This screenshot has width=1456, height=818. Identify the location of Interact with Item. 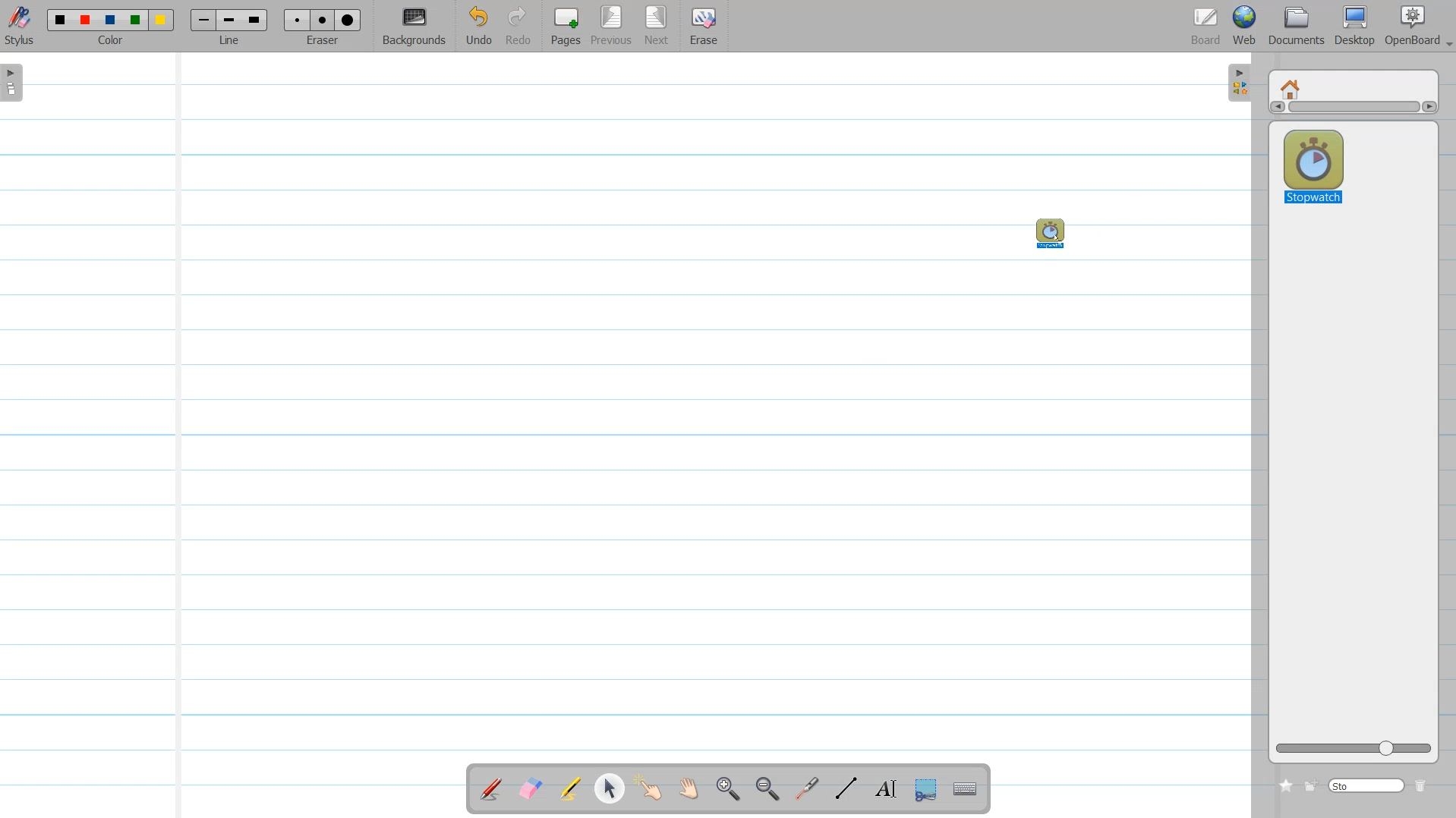
(652, 788).